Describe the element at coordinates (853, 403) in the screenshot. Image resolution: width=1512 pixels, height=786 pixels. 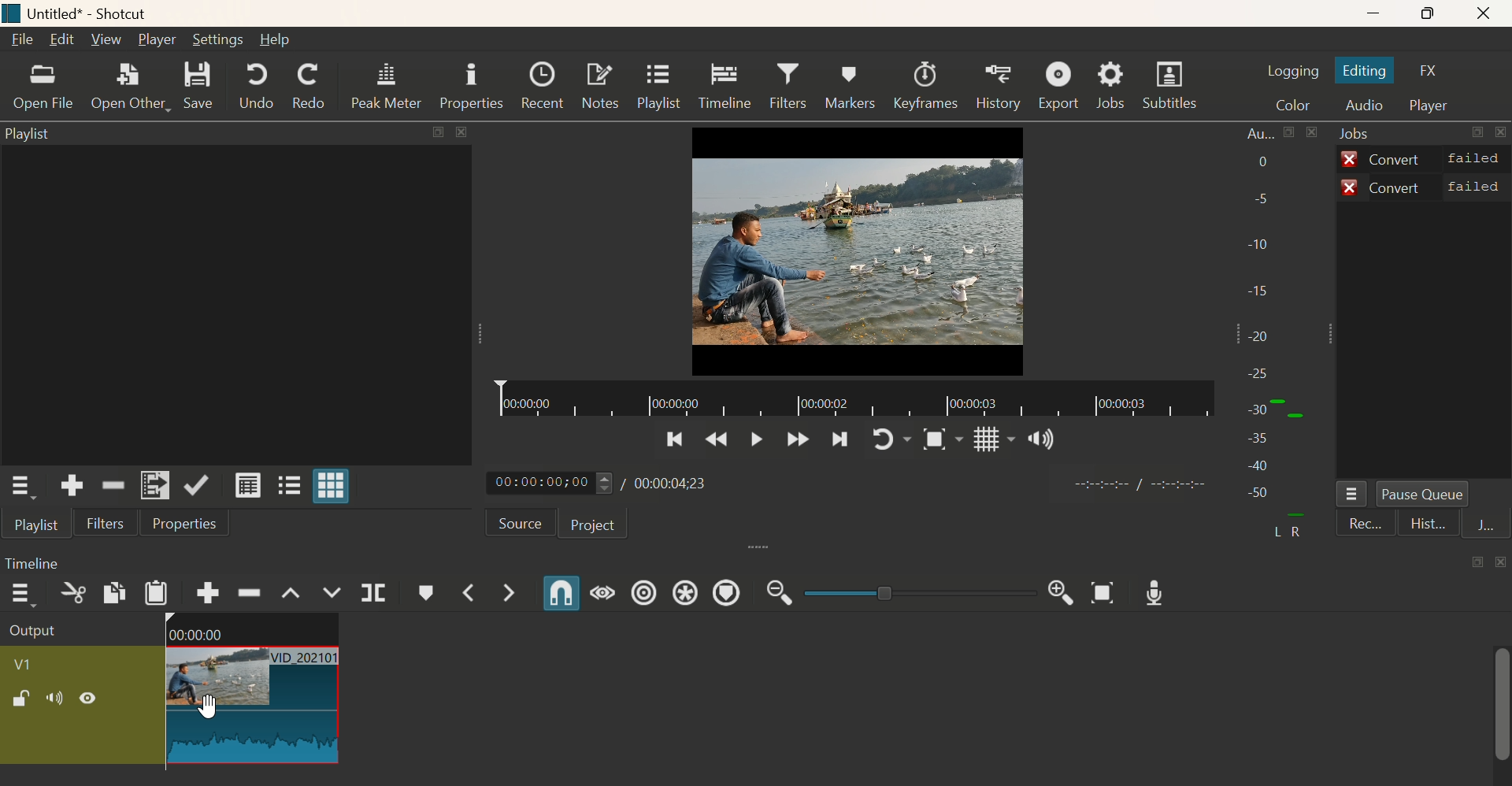
I see `Timeline` at that location.